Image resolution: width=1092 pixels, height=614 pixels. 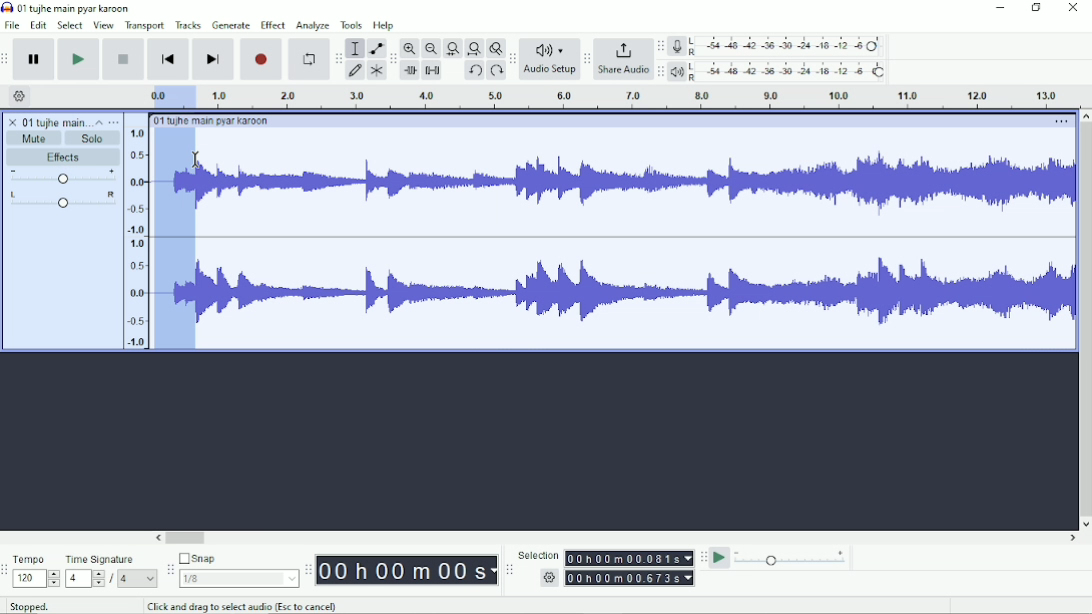 What do you see at coordinates (238, 559) in the screenshot?
I see `Snap` at bounding box center [238, 559].